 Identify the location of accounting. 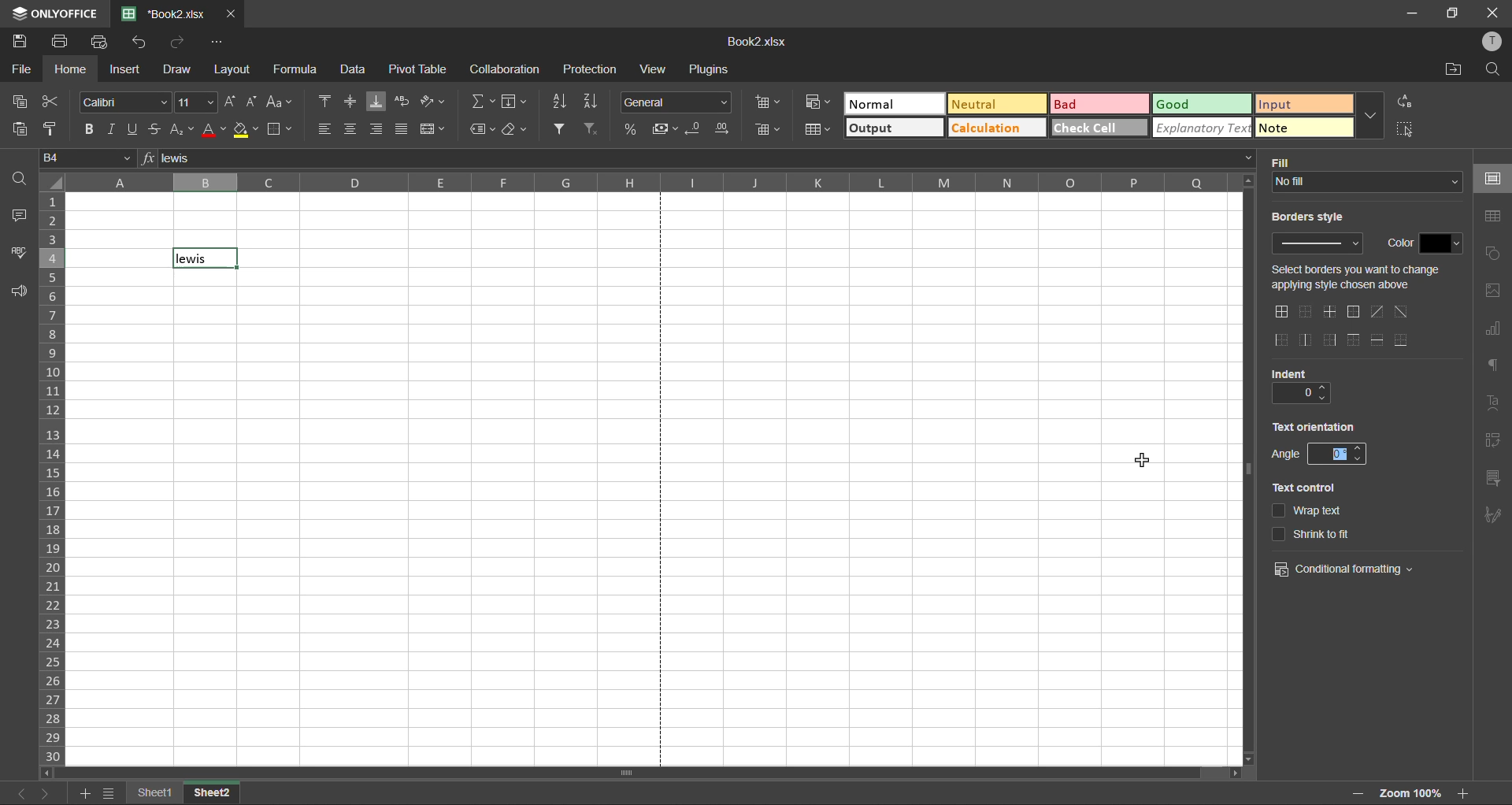
(662, 129).